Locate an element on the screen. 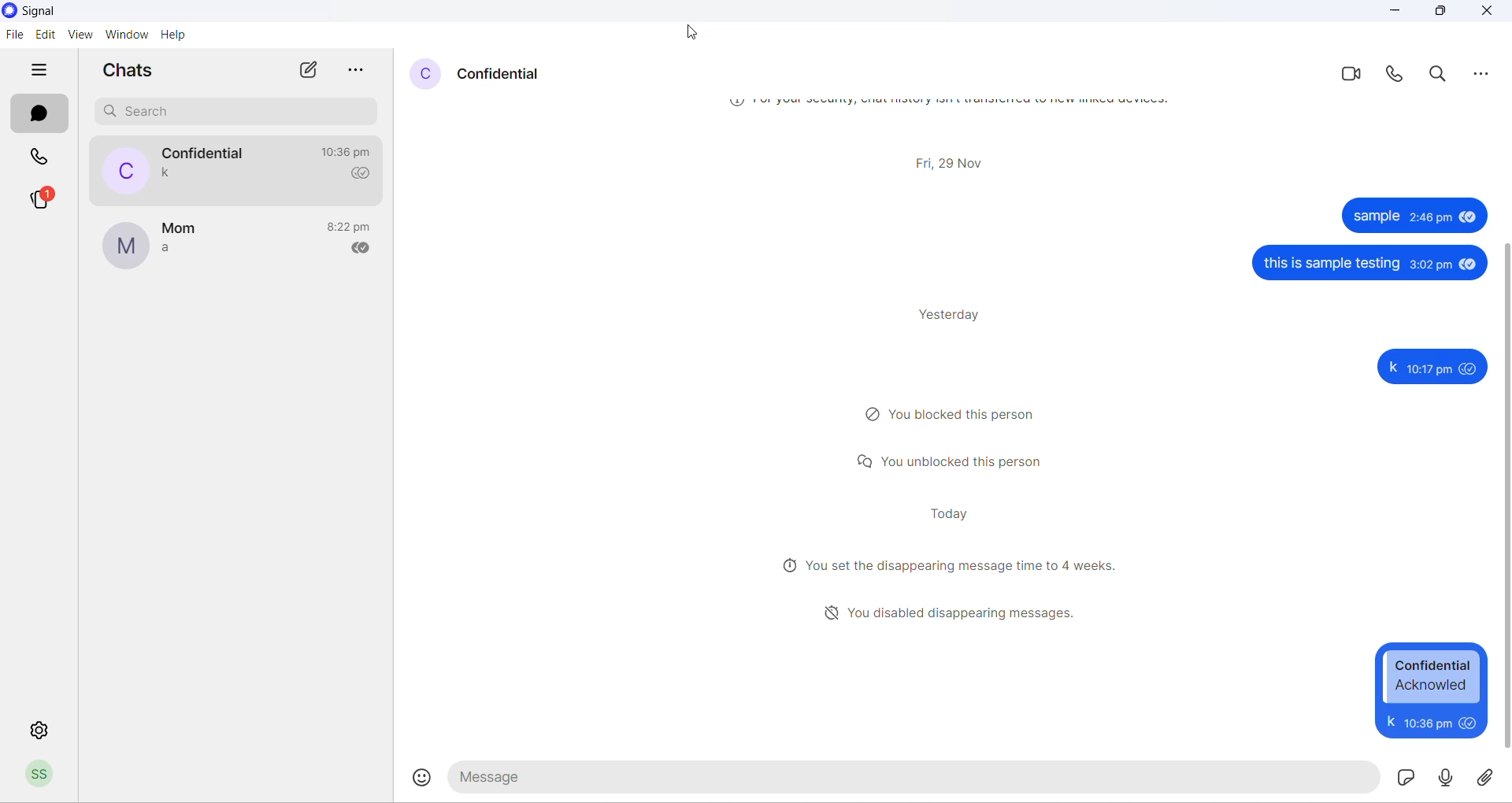 The image size is (1512, 803). profile picture is located at coordinates (125, 246).